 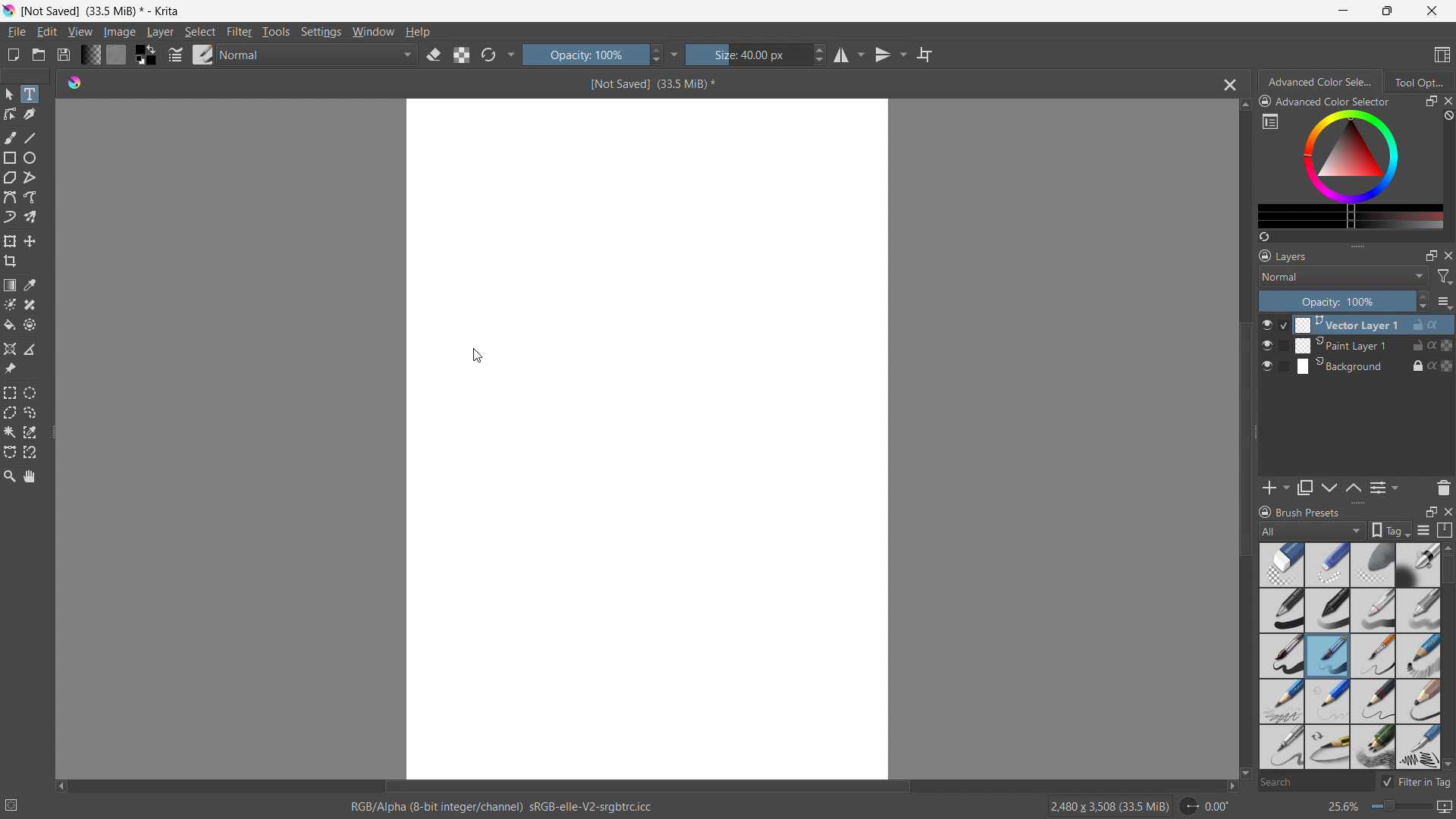 What do you see at coordinates (1447, 255) in the screenshot?
I see `close` at bounding box center [1447, 255].